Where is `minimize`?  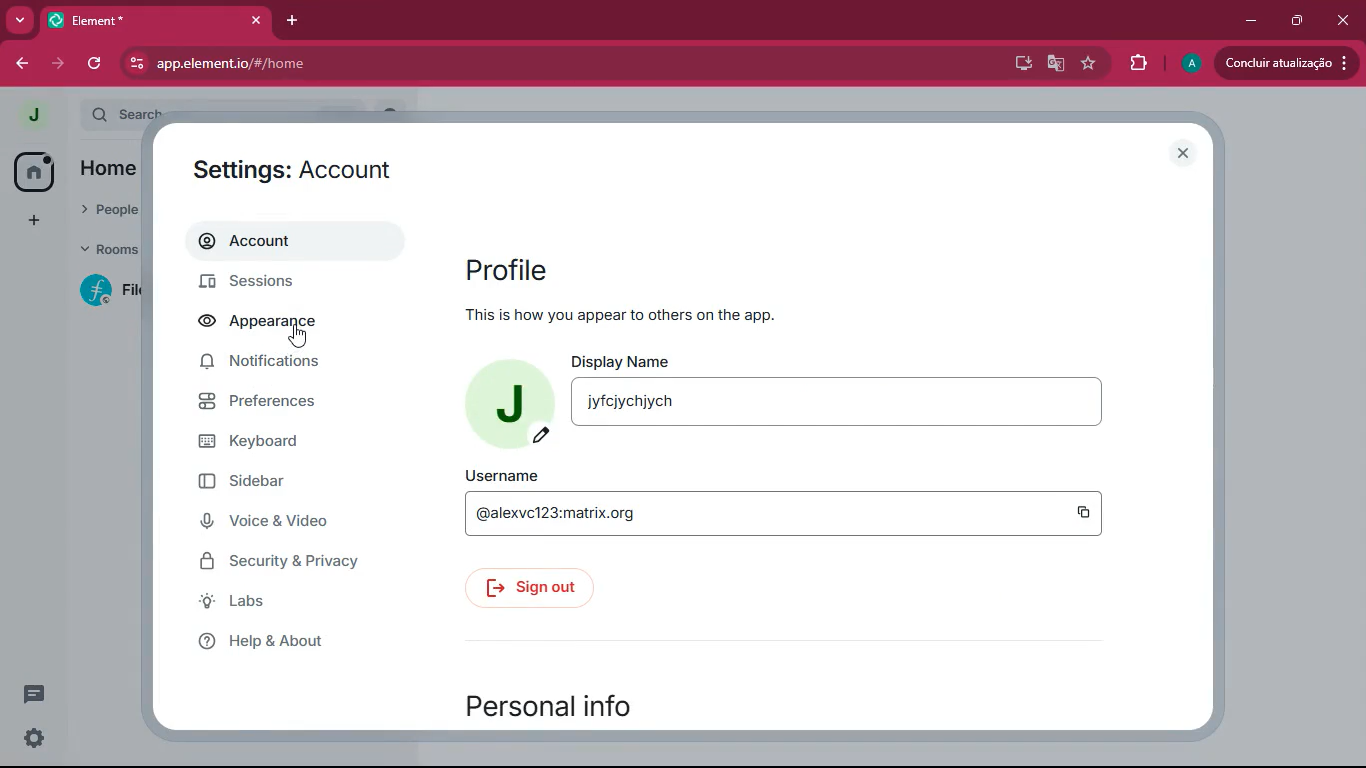 minimize is located at coordinates (1254, 21).